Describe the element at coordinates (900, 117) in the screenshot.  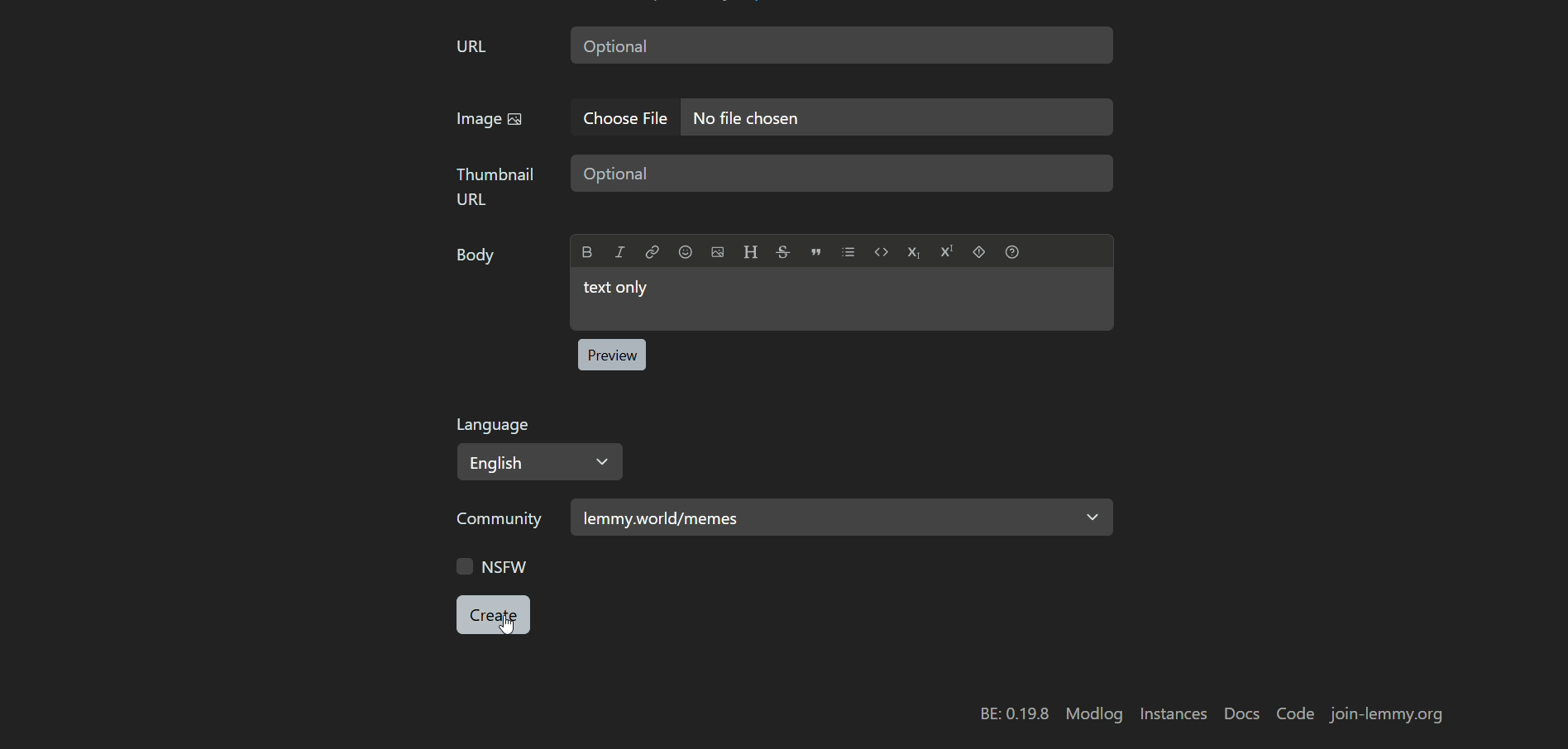
I see `text box` at that location.